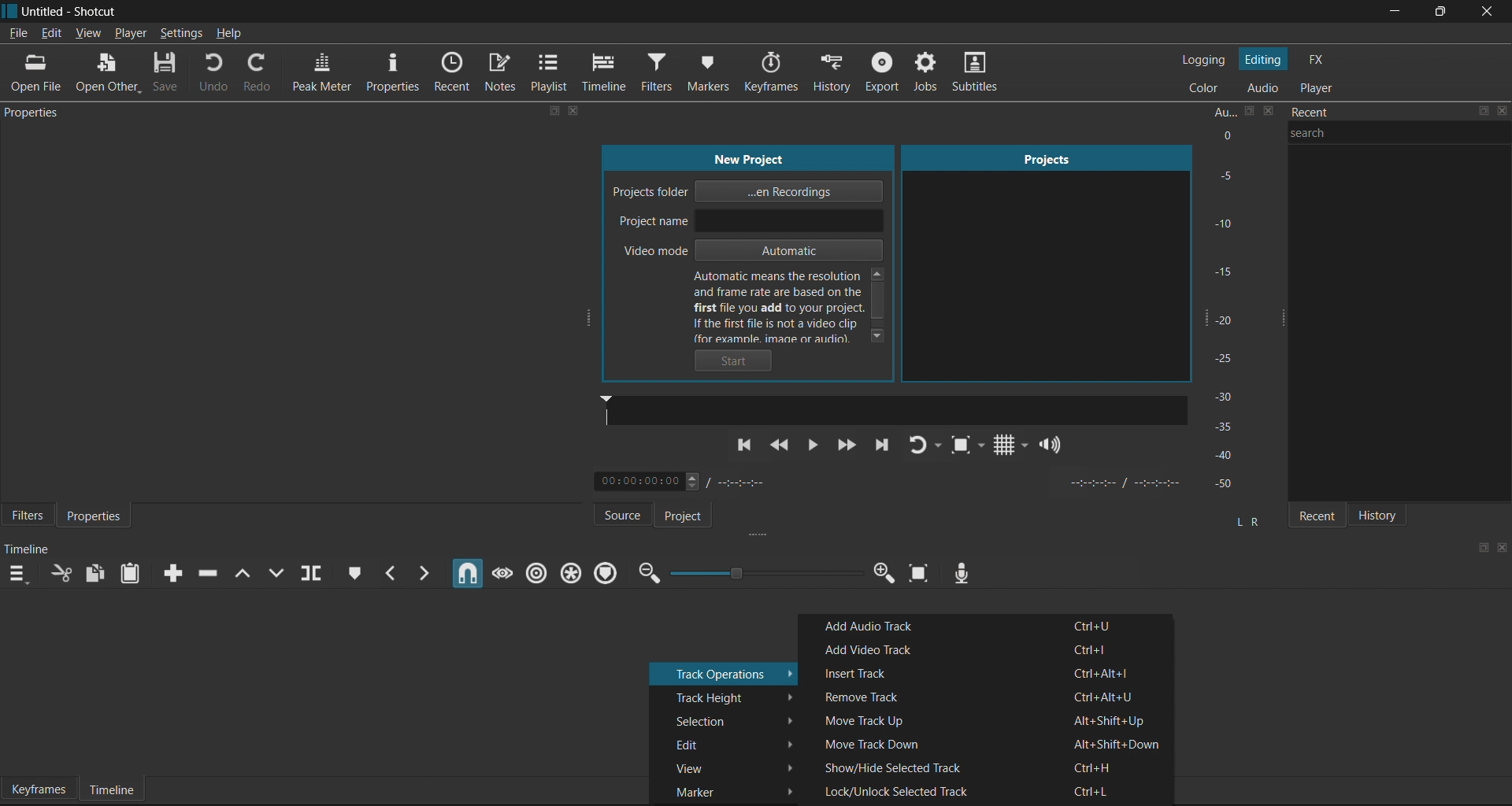 The width and height of the screenshot is (1512, 806). I want to click on Show/Hide Selected Track, so click(989, 765).